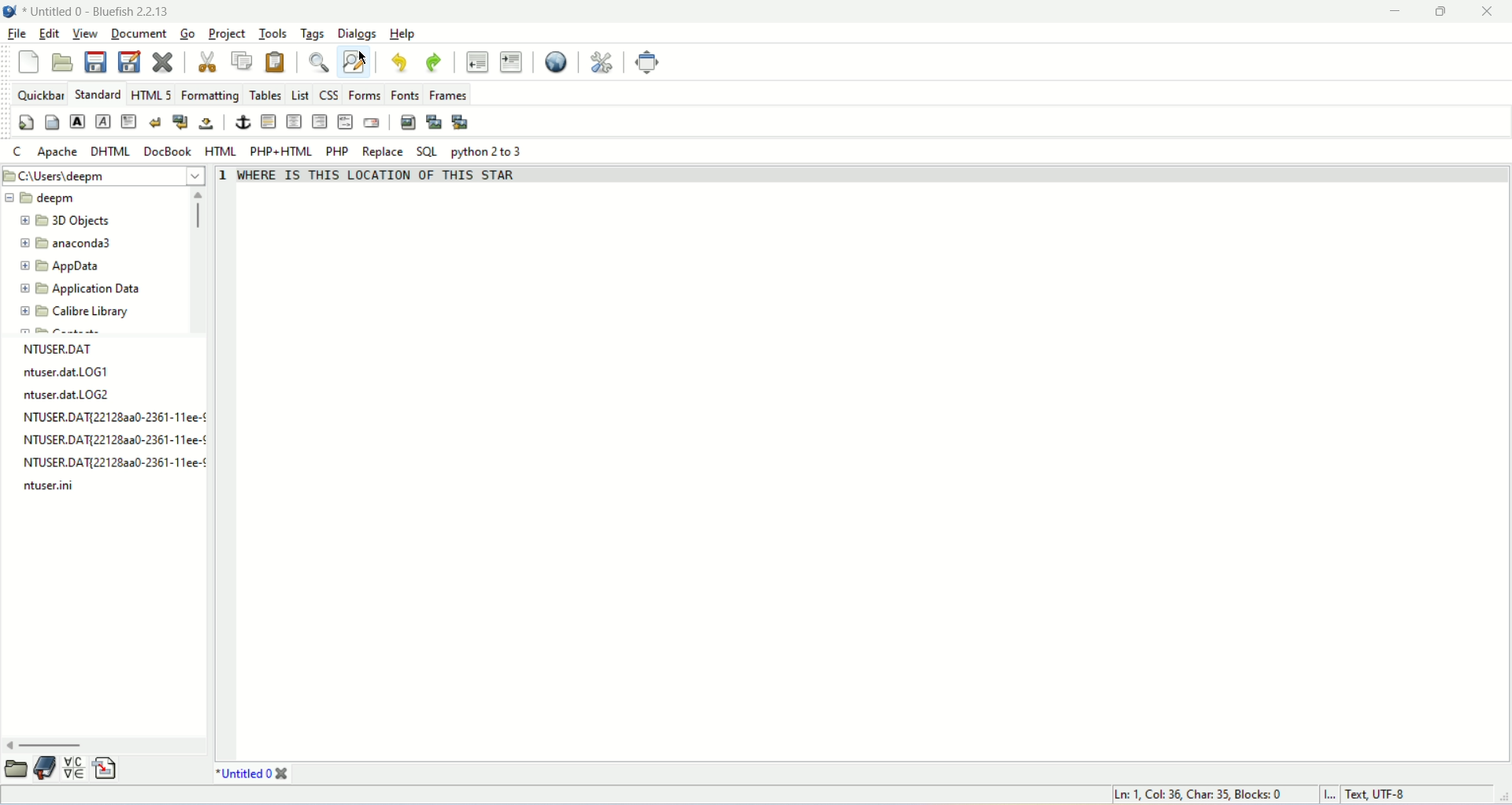 This screenshot has height=805, width=1512. Describe the element at coordinates (169, 150) in the screenshot. I see `DocBook` at that location.